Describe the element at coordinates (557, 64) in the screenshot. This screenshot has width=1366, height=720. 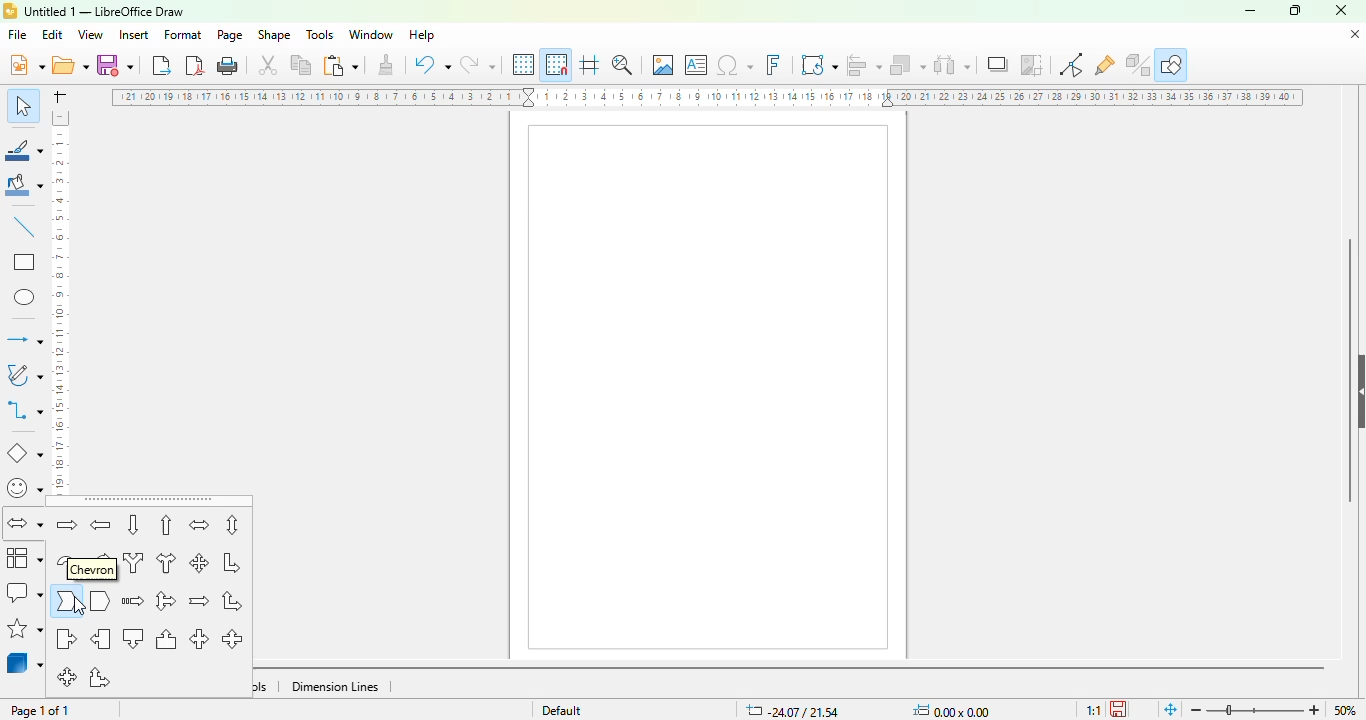
I see `snap to grid` at that location.